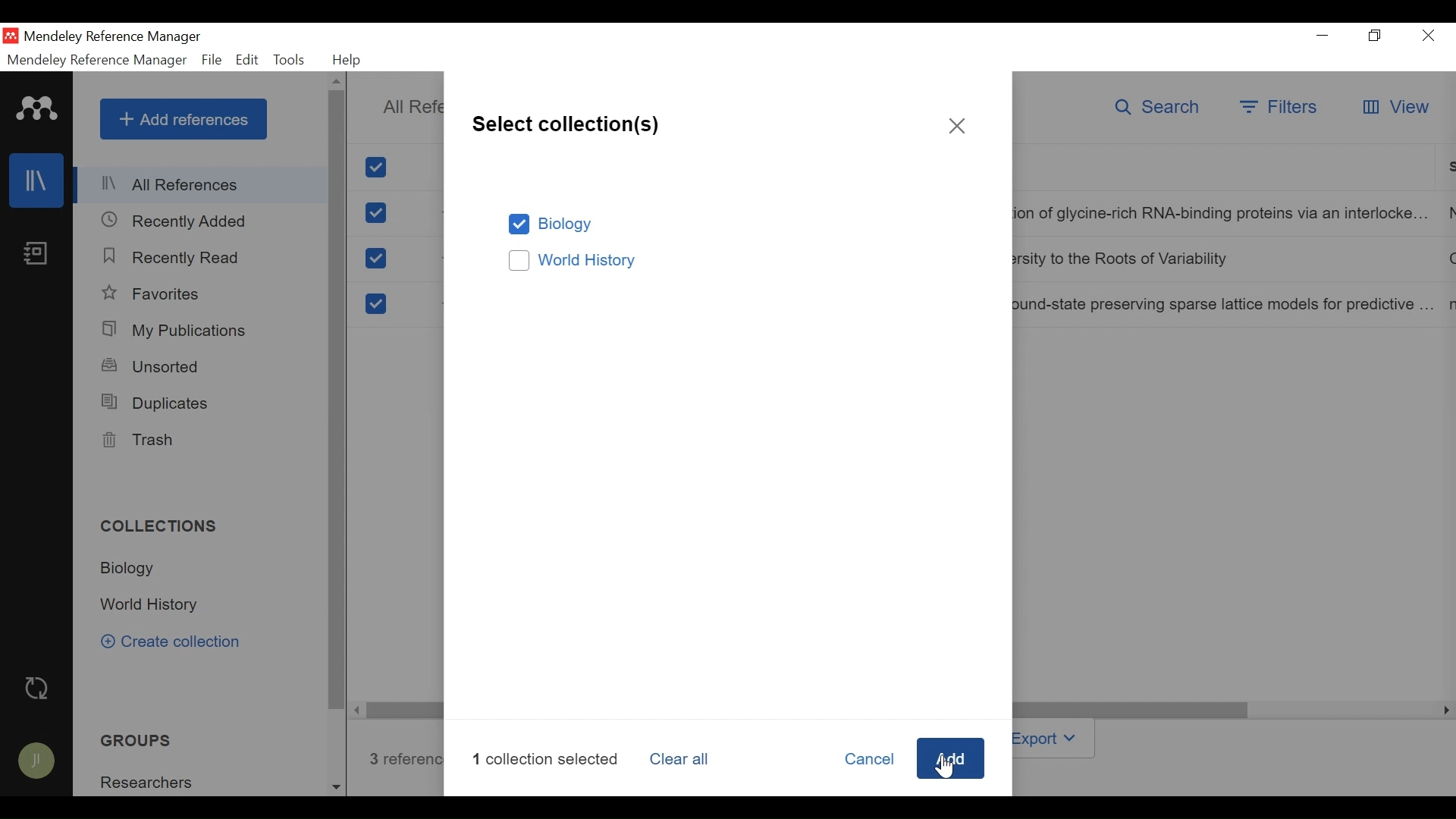  What do you see at coordinates (958, 127) in the screenshot?
I see `Close` at bounding box center [958, 127].